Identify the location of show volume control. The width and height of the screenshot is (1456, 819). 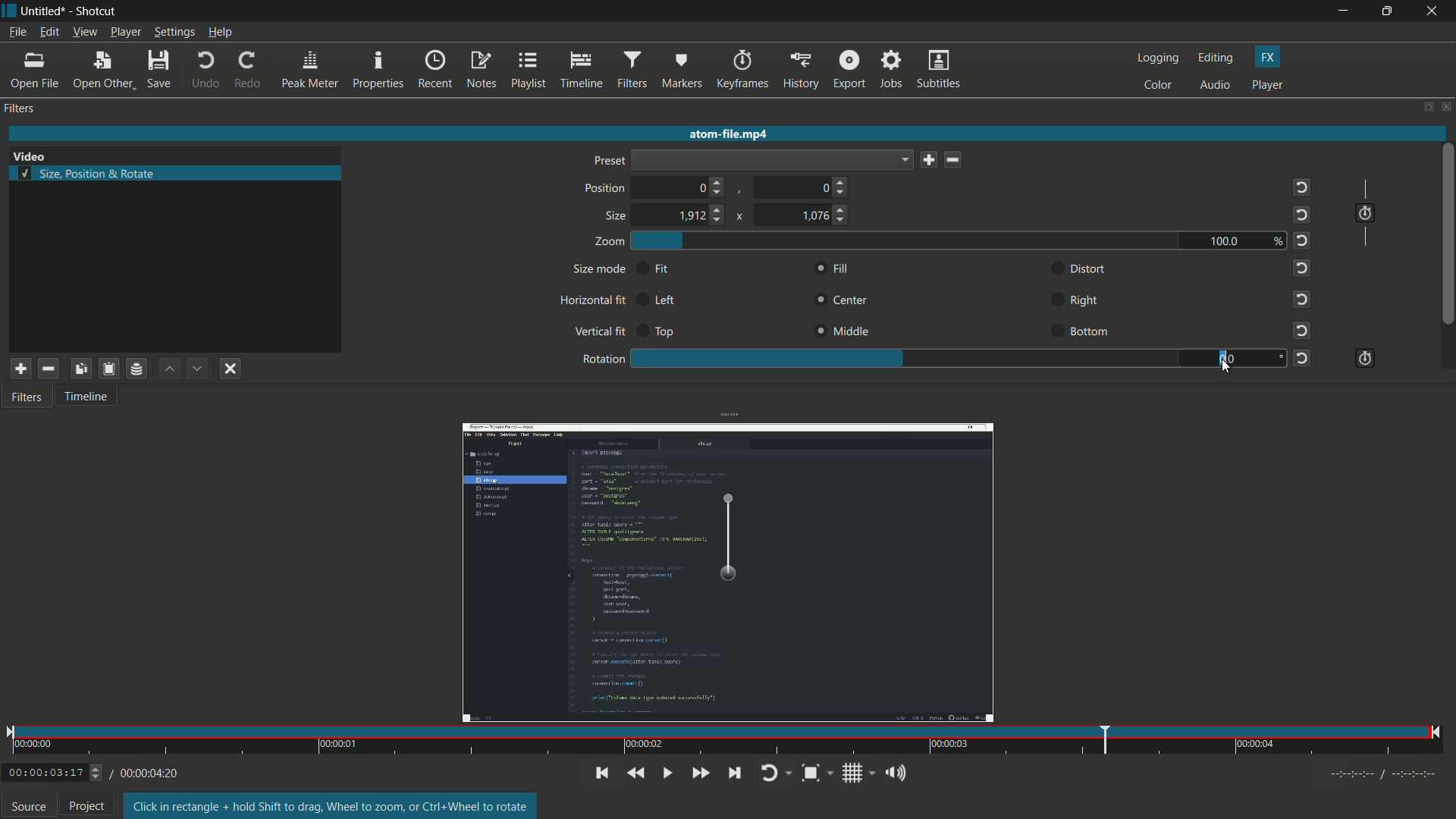
(894, 772).